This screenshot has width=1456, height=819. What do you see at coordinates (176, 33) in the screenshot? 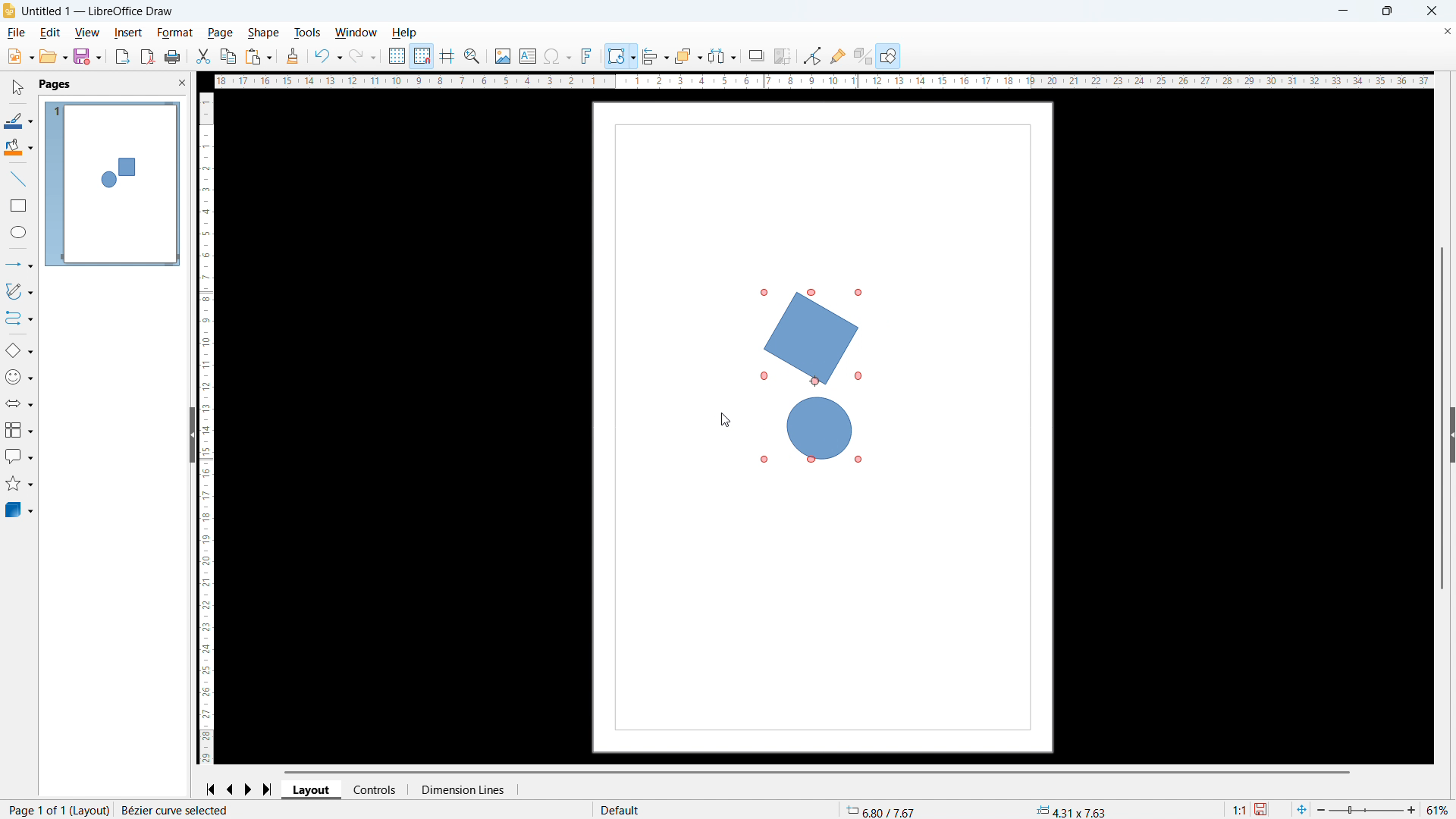
I see `Format ` at bounding box center [176, 33].